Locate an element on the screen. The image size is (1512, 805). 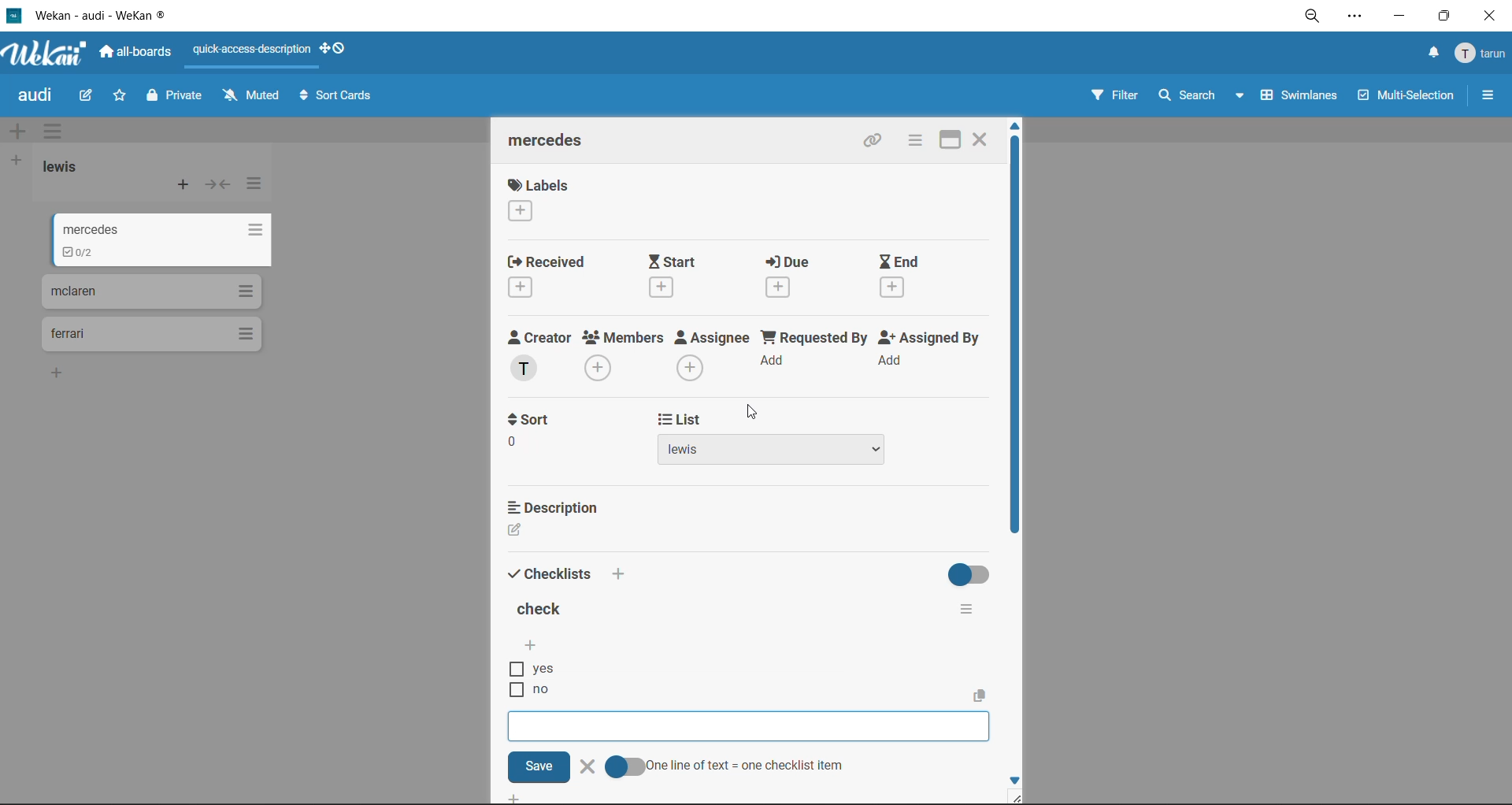
maximize is located at coordinates (943, 139).